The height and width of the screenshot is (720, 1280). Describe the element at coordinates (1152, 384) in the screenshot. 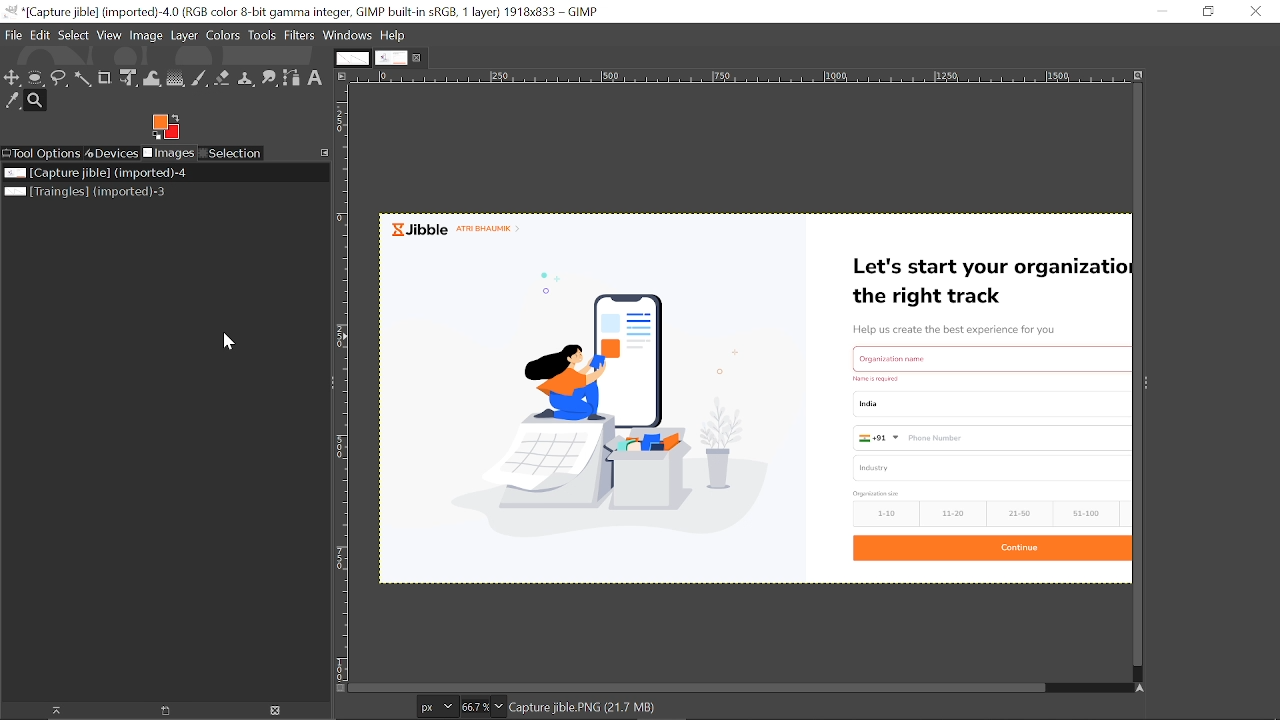

I see `Sidebar menu` at that location.